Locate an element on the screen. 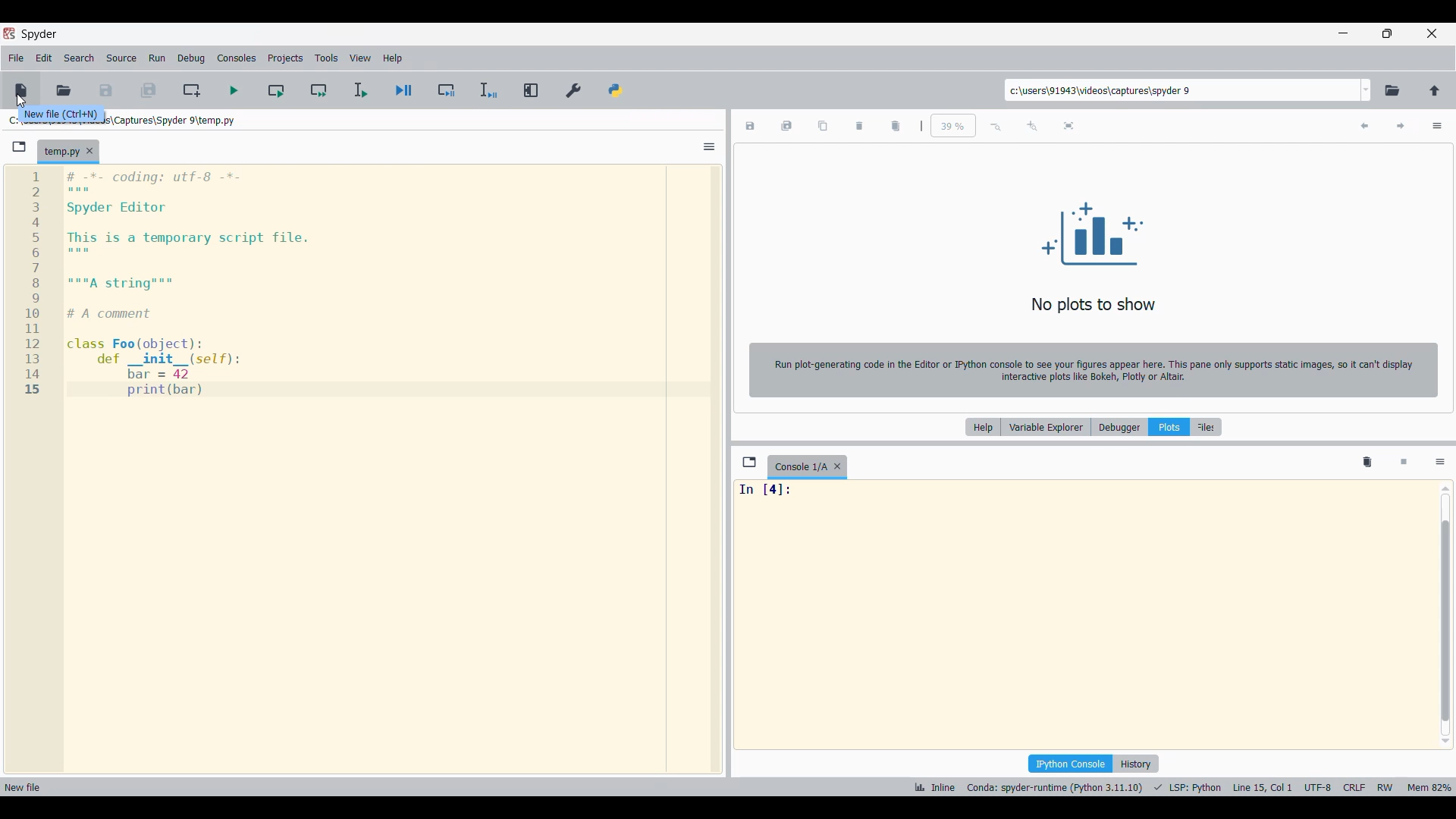  cursor position is located at coordinates (1260, 787).